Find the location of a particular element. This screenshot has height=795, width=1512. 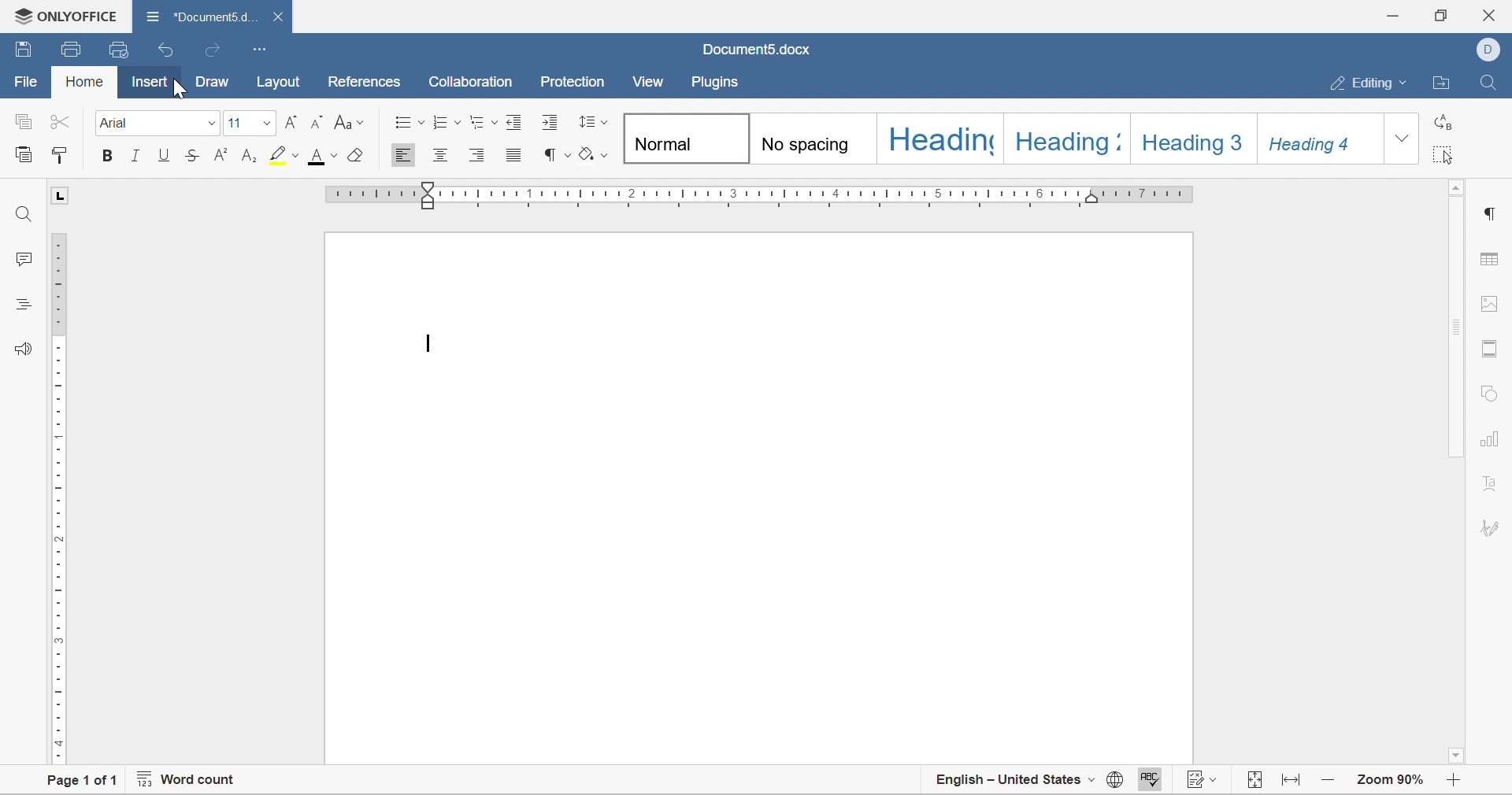

view is located at coordinates (647, 85).